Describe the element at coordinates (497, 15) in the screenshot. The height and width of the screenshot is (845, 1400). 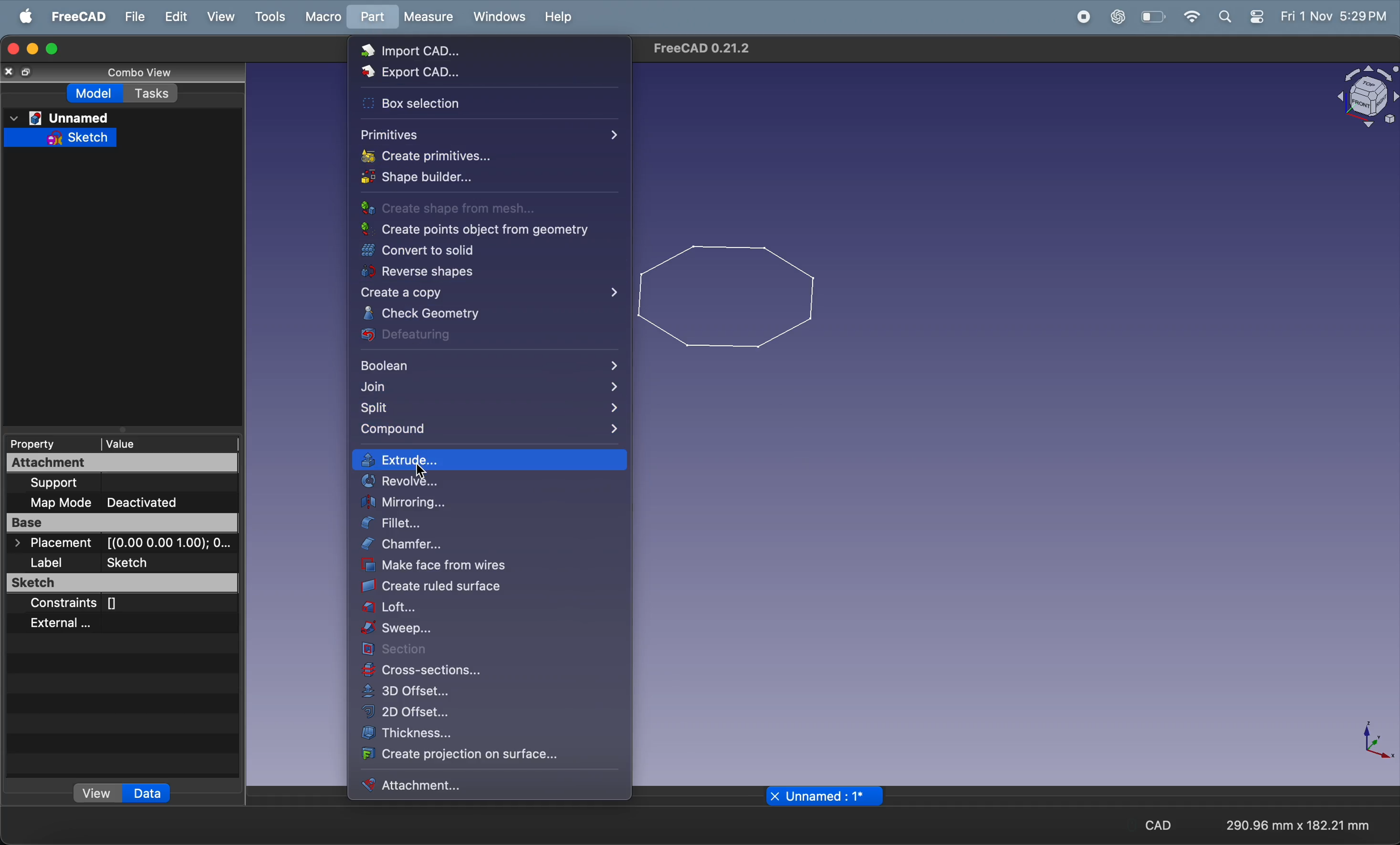
I see `windows` at that location.